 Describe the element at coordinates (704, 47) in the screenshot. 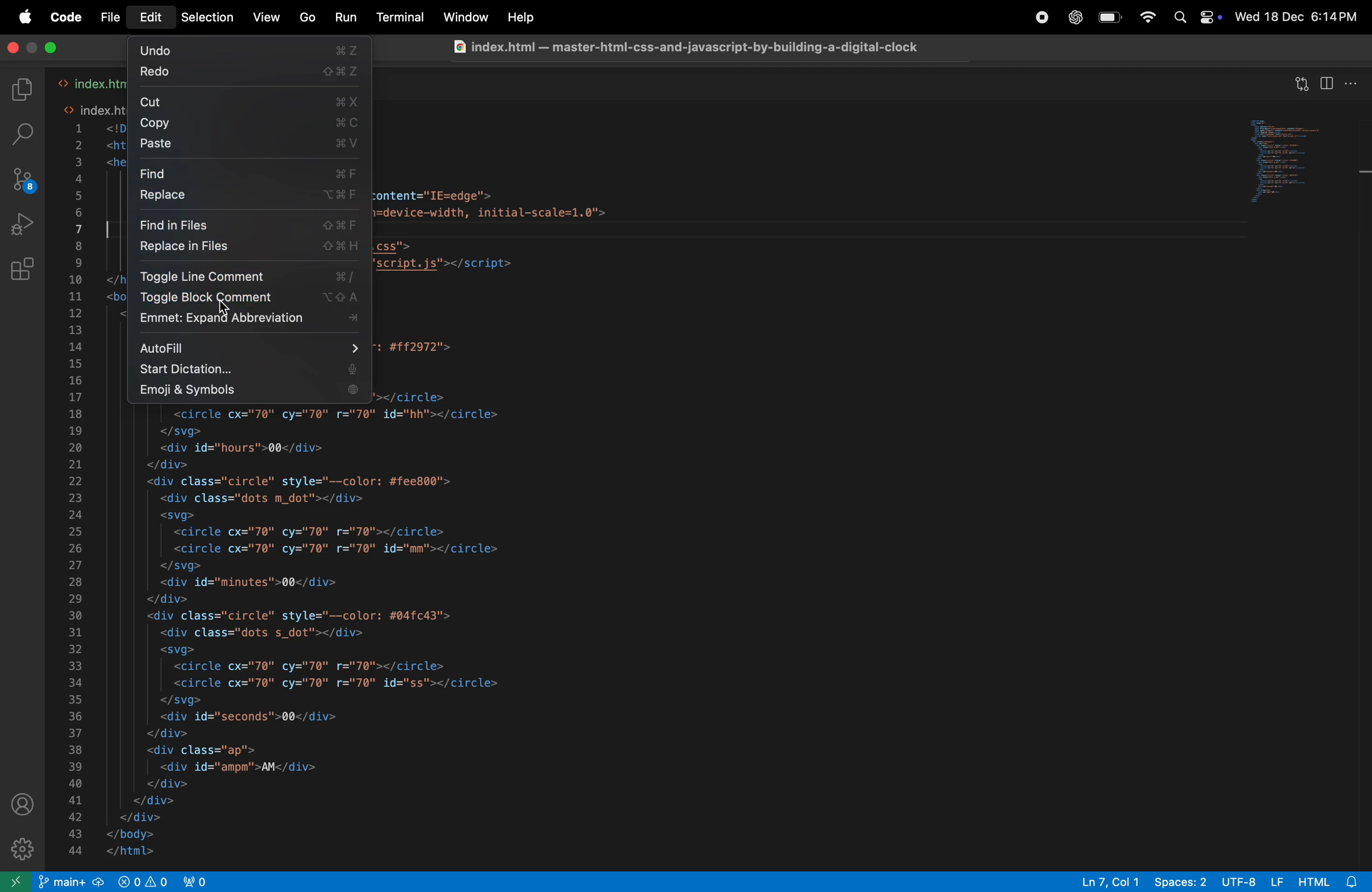

I see `file` at that location.